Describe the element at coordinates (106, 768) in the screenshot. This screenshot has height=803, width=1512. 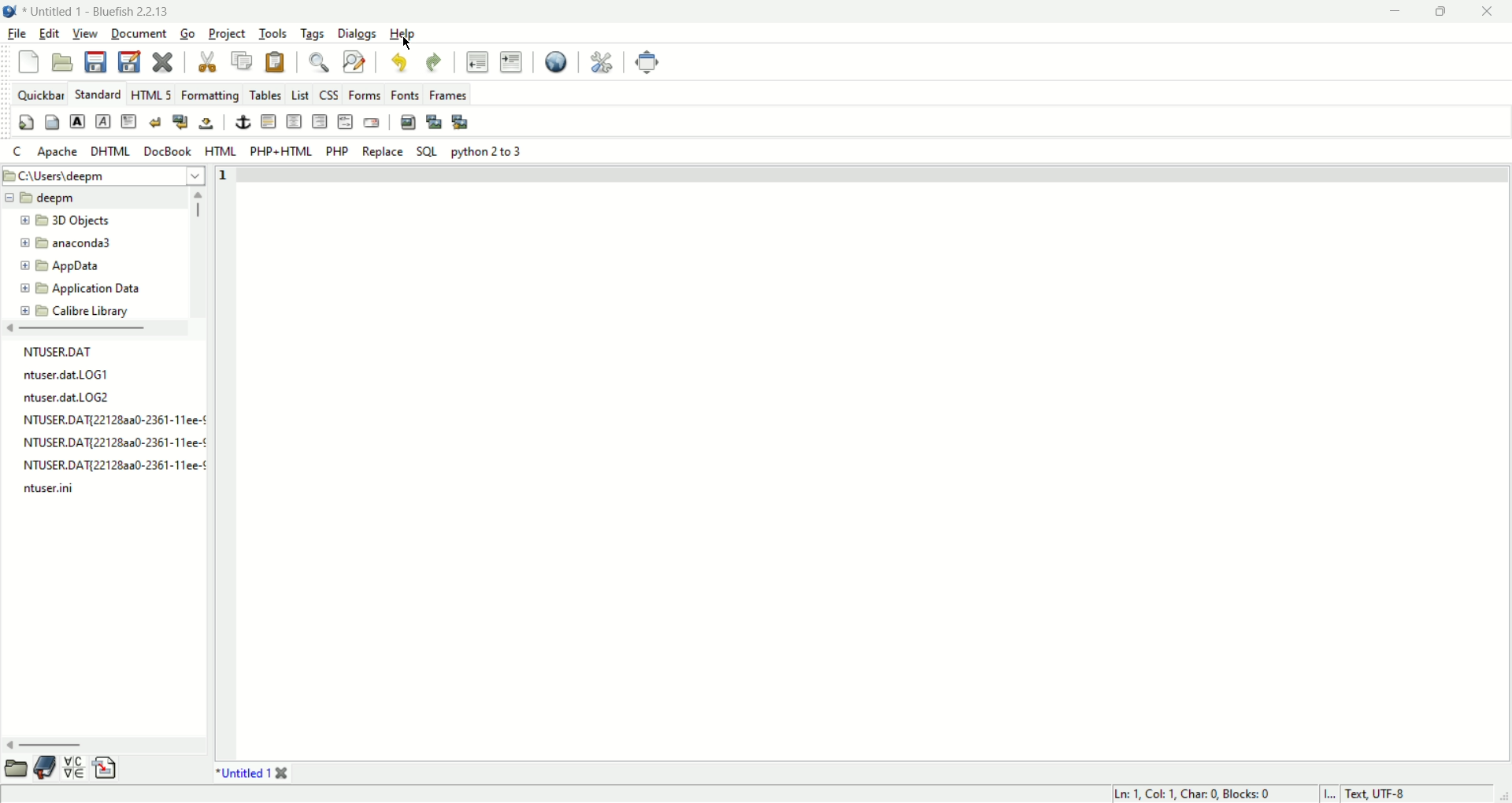
I see `snippets` at that location.